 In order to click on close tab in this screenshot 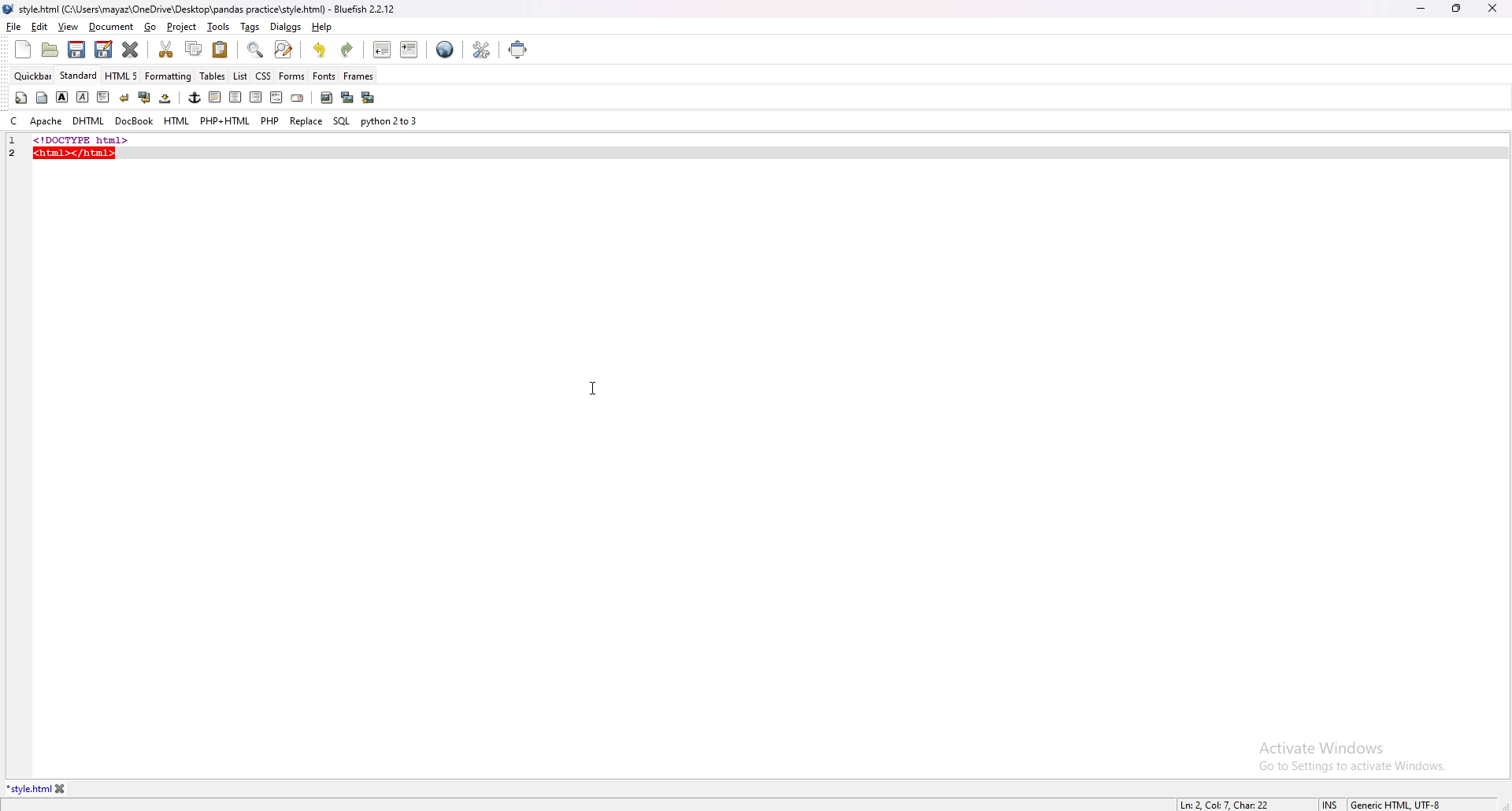, I will do `click(61, 789)`.